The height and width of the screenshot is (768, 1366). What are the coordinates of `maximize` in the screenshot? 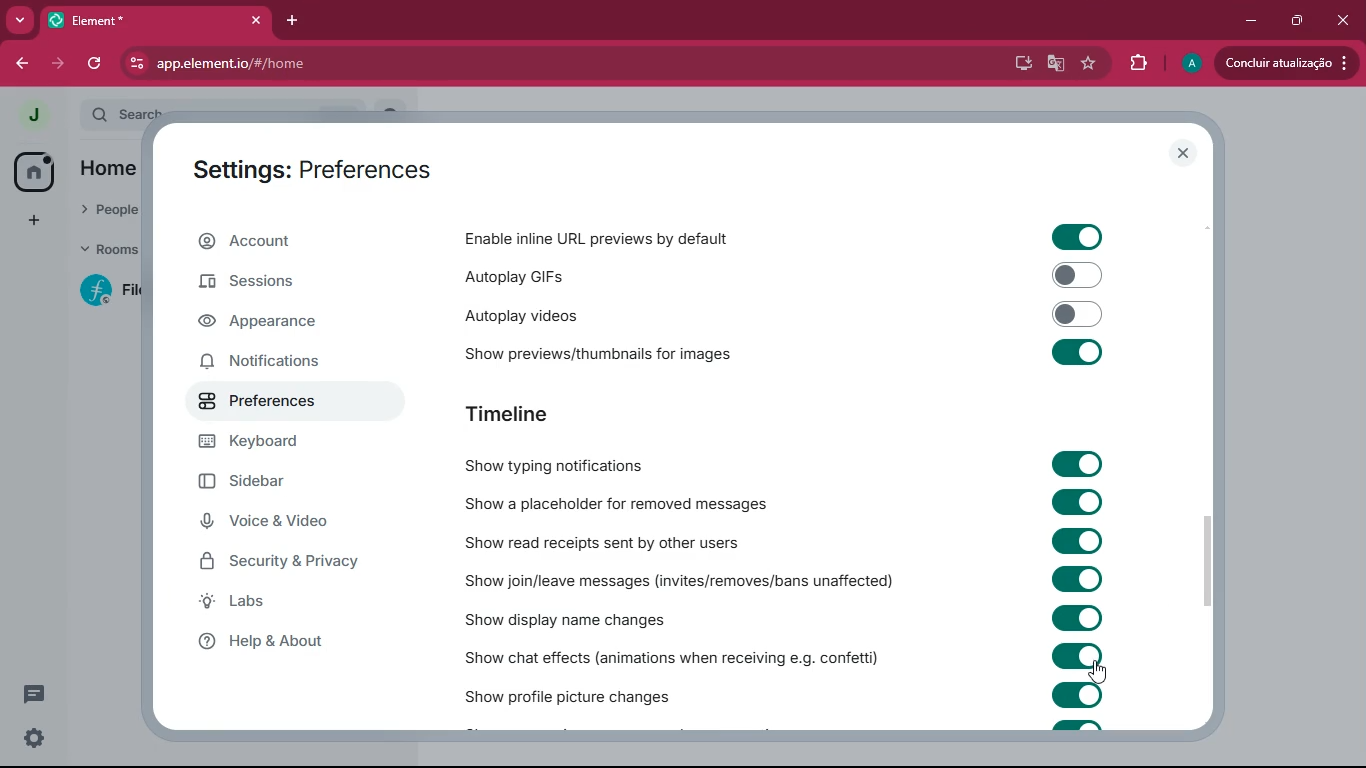 It's located at (1293, 21).